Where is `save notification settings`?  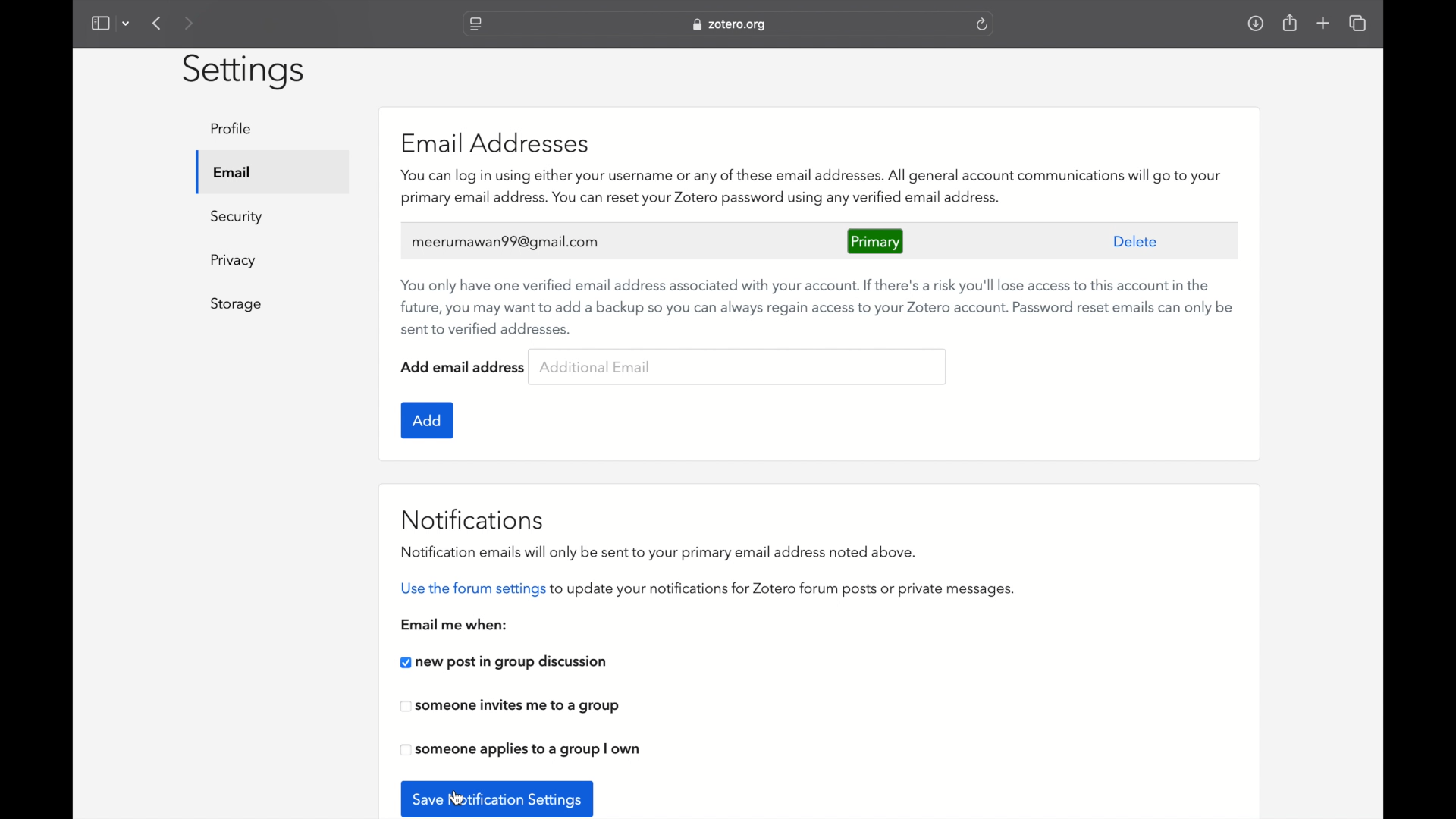
save notification settings is located at coordinates (496, 798).